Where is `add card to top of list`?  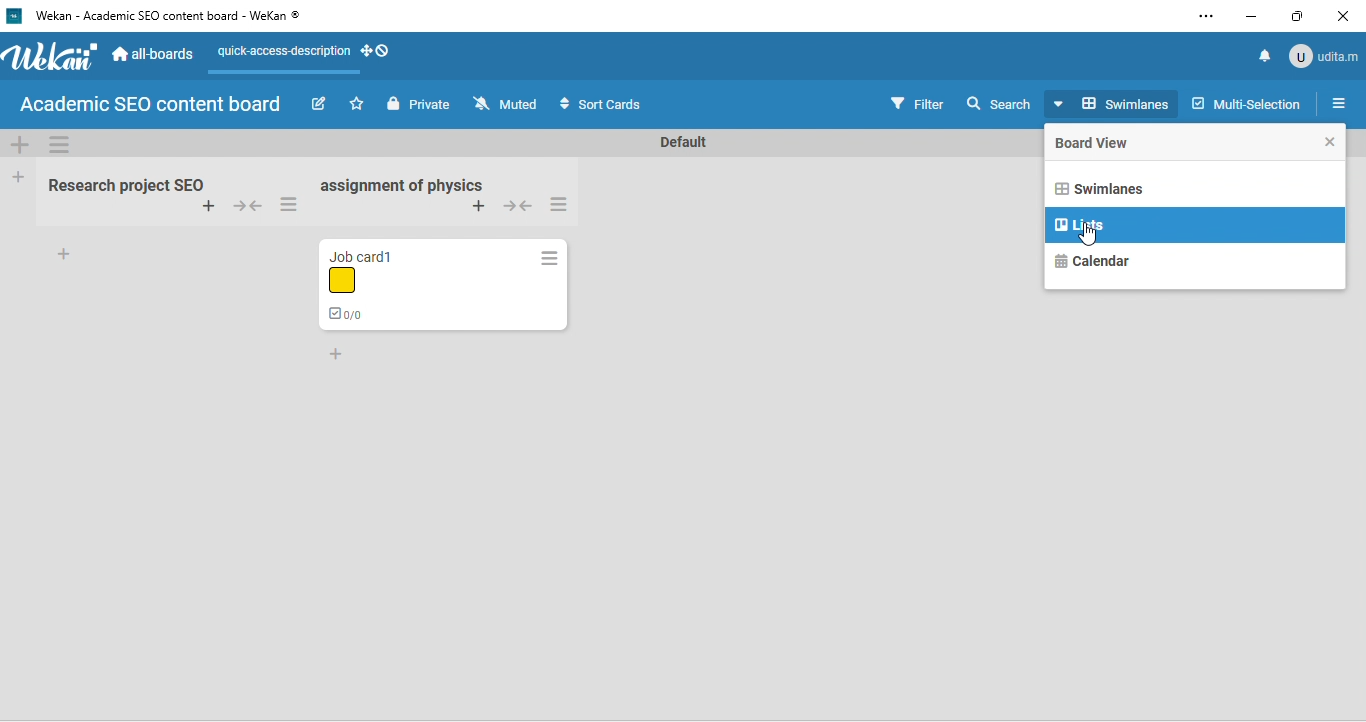
add card to top of list is located at coordinates (480, 206).